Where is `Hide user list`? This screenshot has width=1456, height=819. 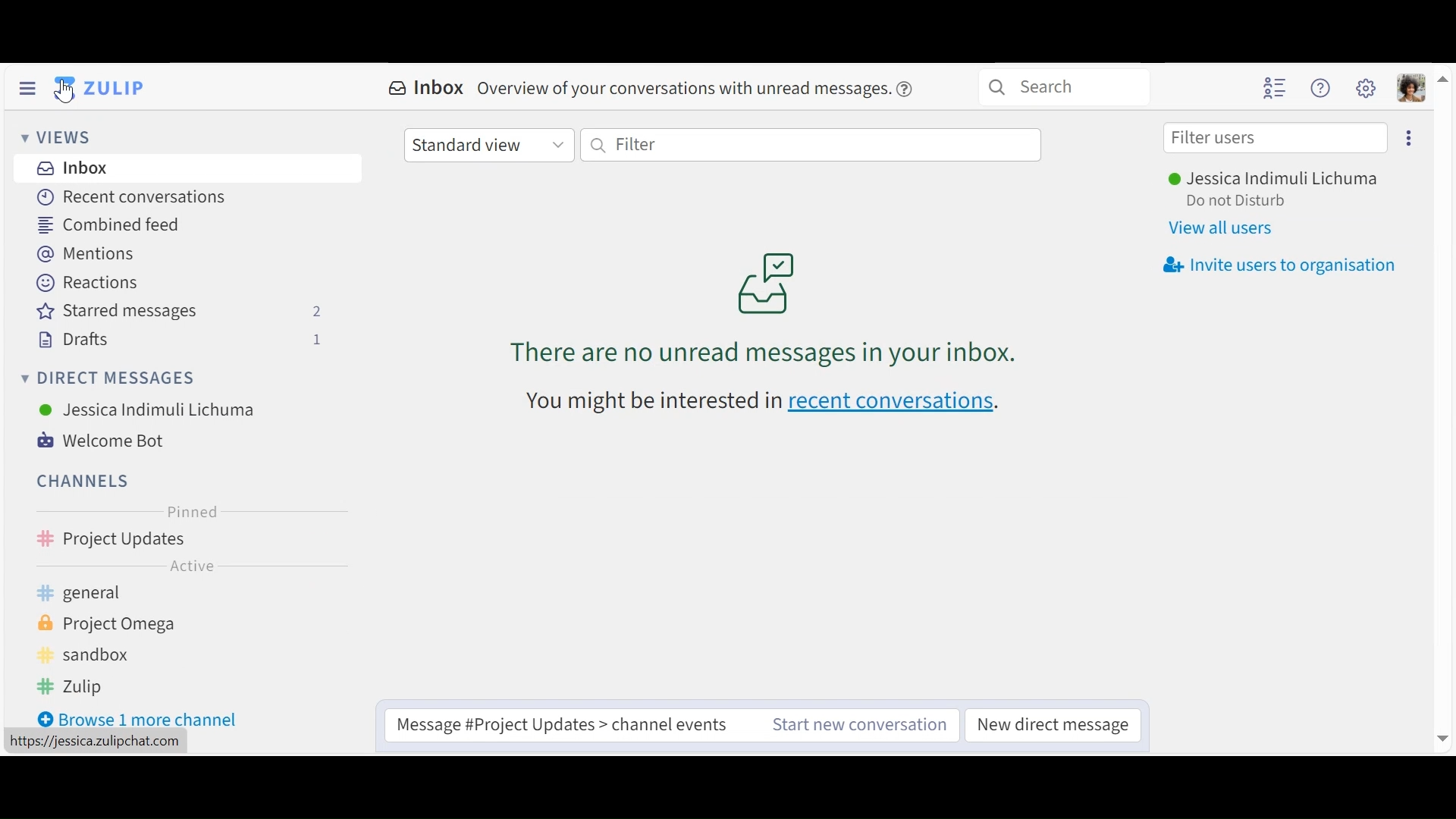 Hide user list is located at coordinates (1273, 87).